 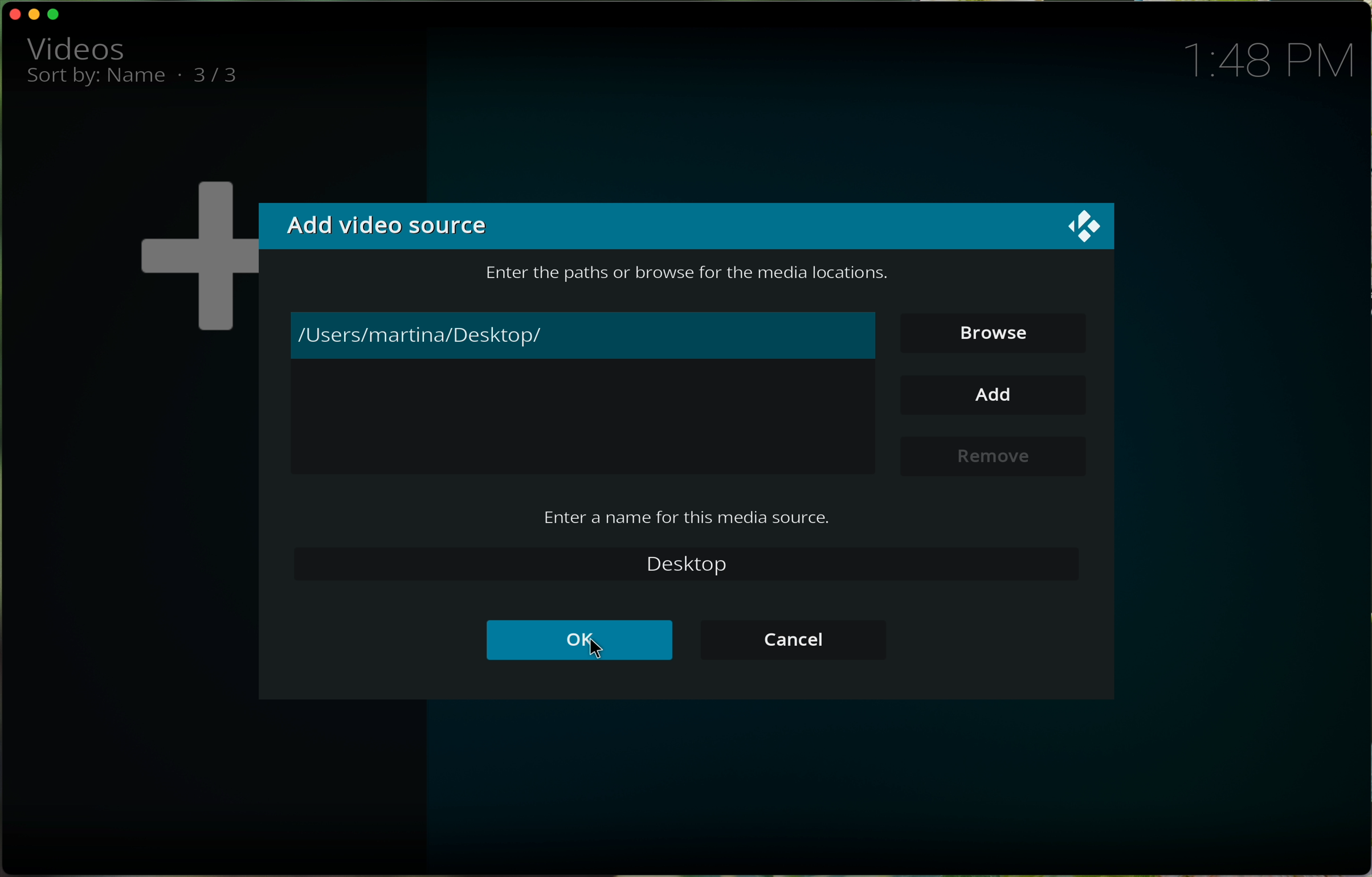 What do you see at coordinates (389, 227) in the screenshot?
I see `add video source` at bounding box center [389, 227].